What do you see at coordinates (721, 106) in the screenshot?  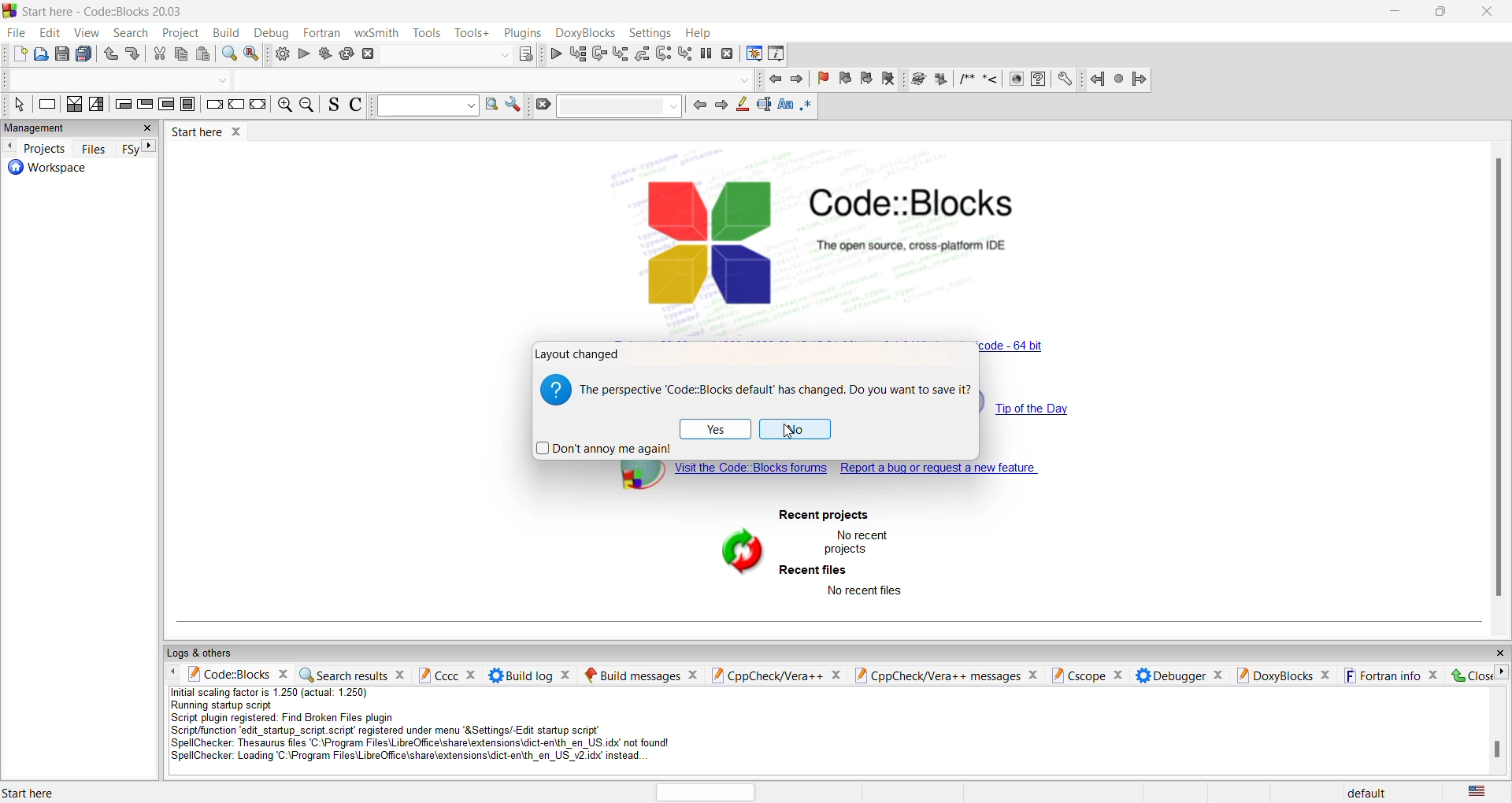 I see `next` at bounding box center [721, 106].